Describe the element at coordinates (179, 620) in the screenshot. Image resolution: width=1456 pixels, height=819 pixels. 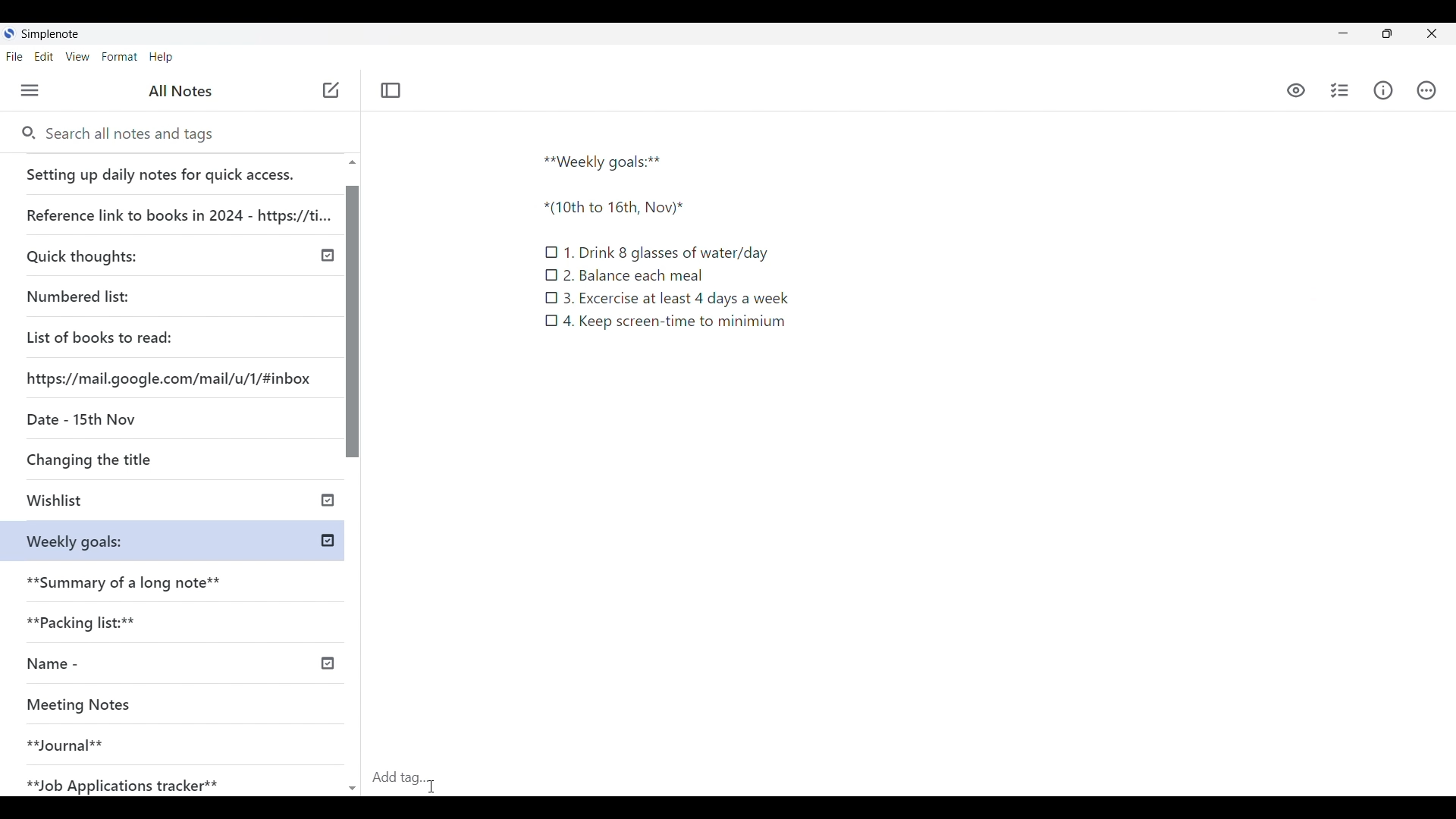
I see `Packing lists` at that location.